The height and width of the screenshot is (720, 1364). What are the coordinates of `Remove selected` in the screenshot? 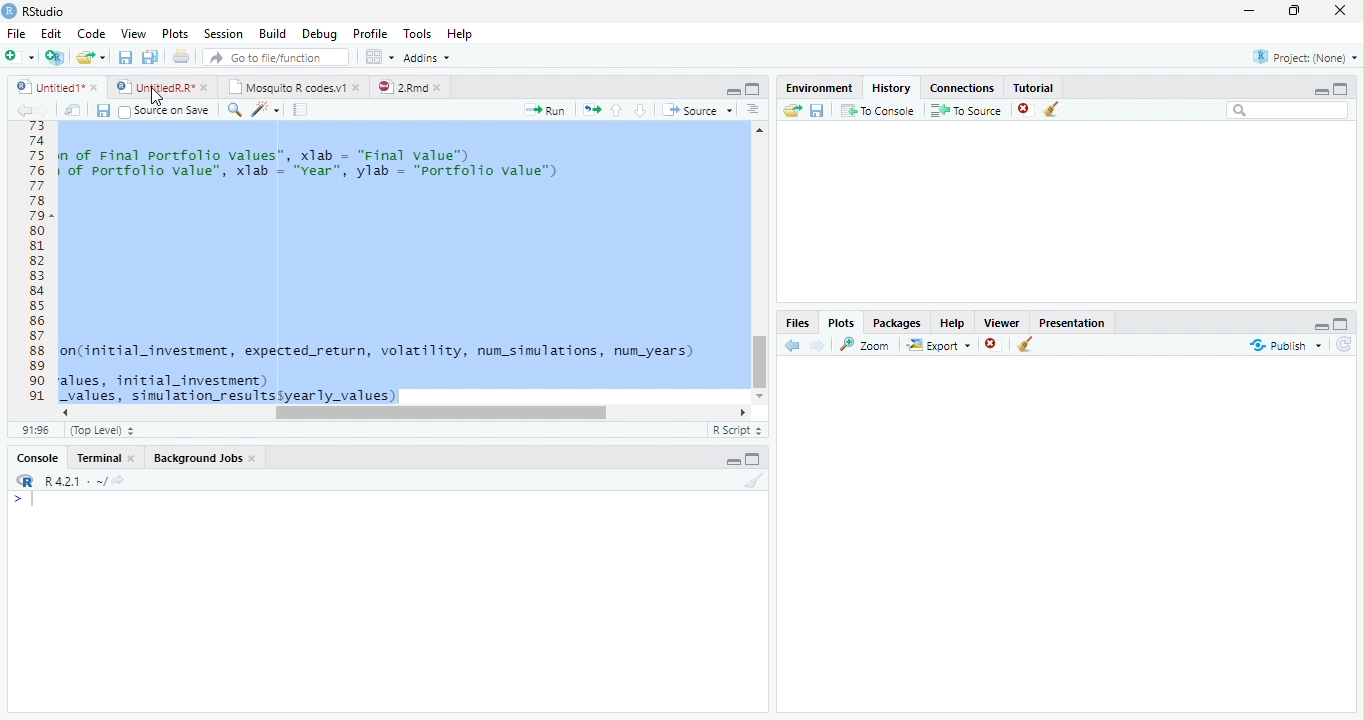 It's located at (995, 345).